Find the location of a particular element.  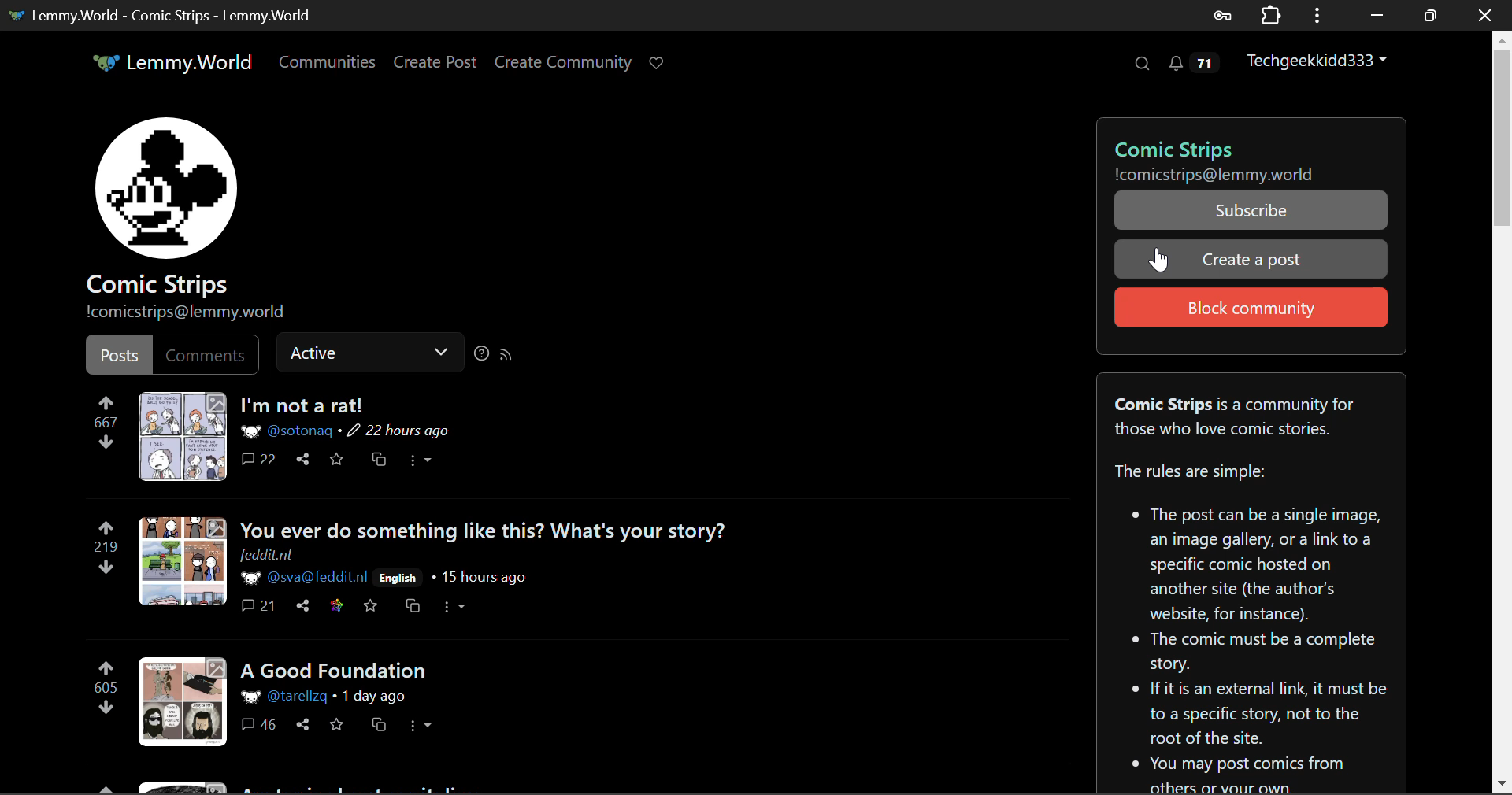

Cross-post is located at coordinates (414, 605).